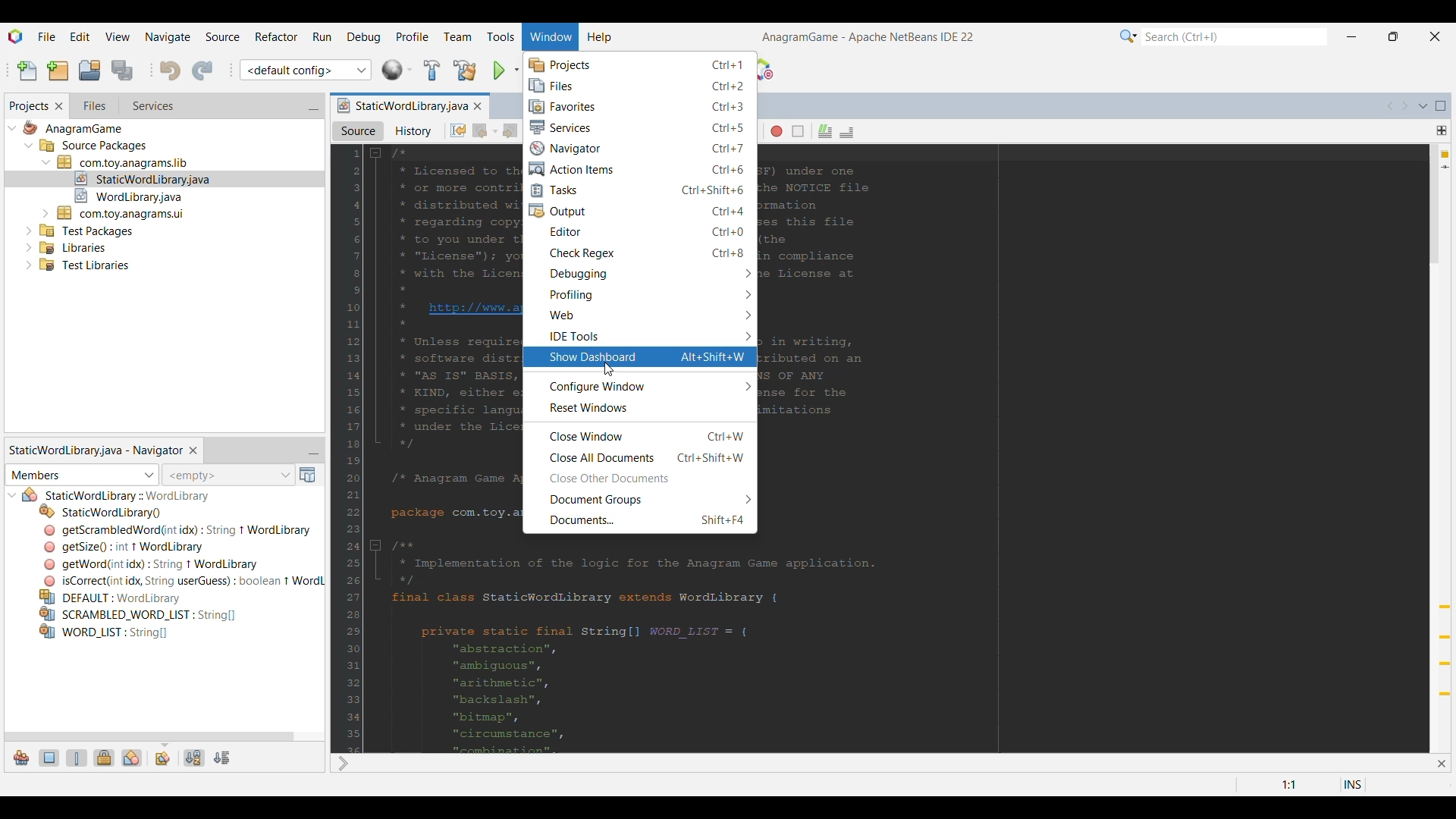  I want to click on World Library, so click(397, 70).